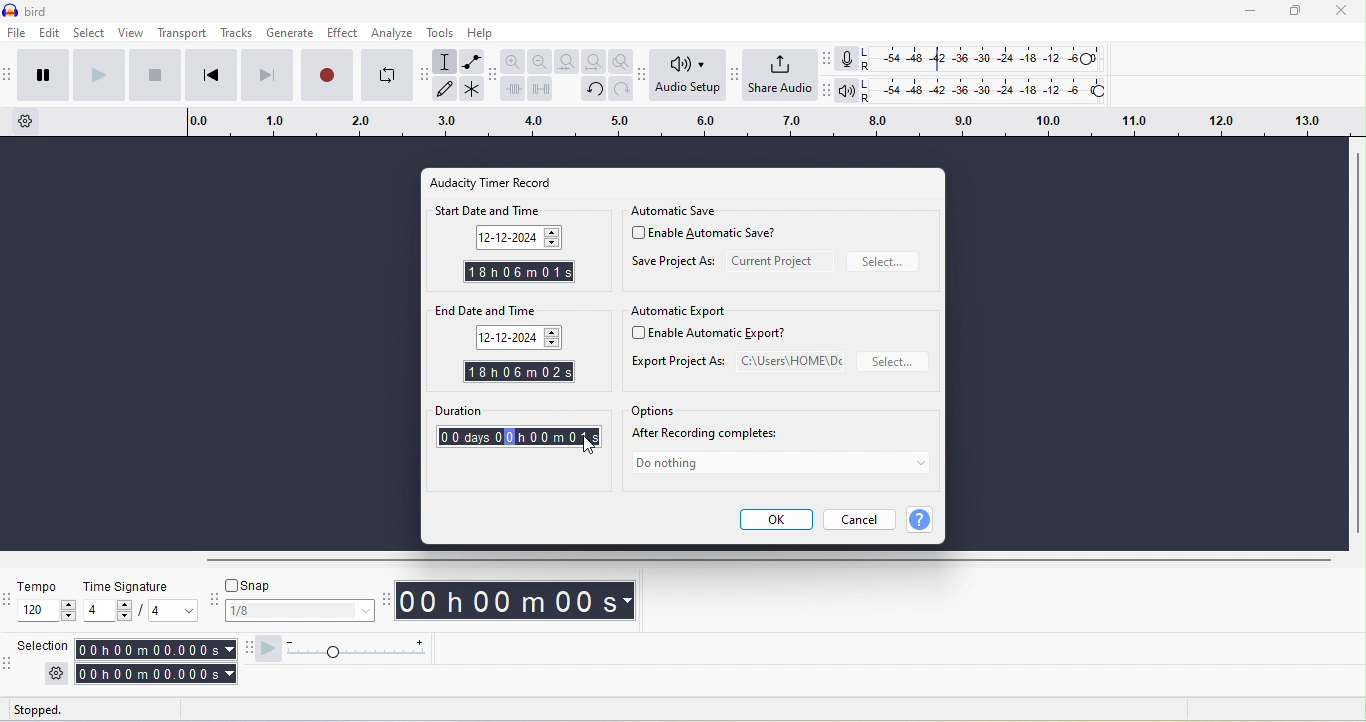 The image size is (1366, 722). What do you see at coordinates (513, 90) in the screenshot?
I see `trim audio outside selection` at bounding box center [513, 90].